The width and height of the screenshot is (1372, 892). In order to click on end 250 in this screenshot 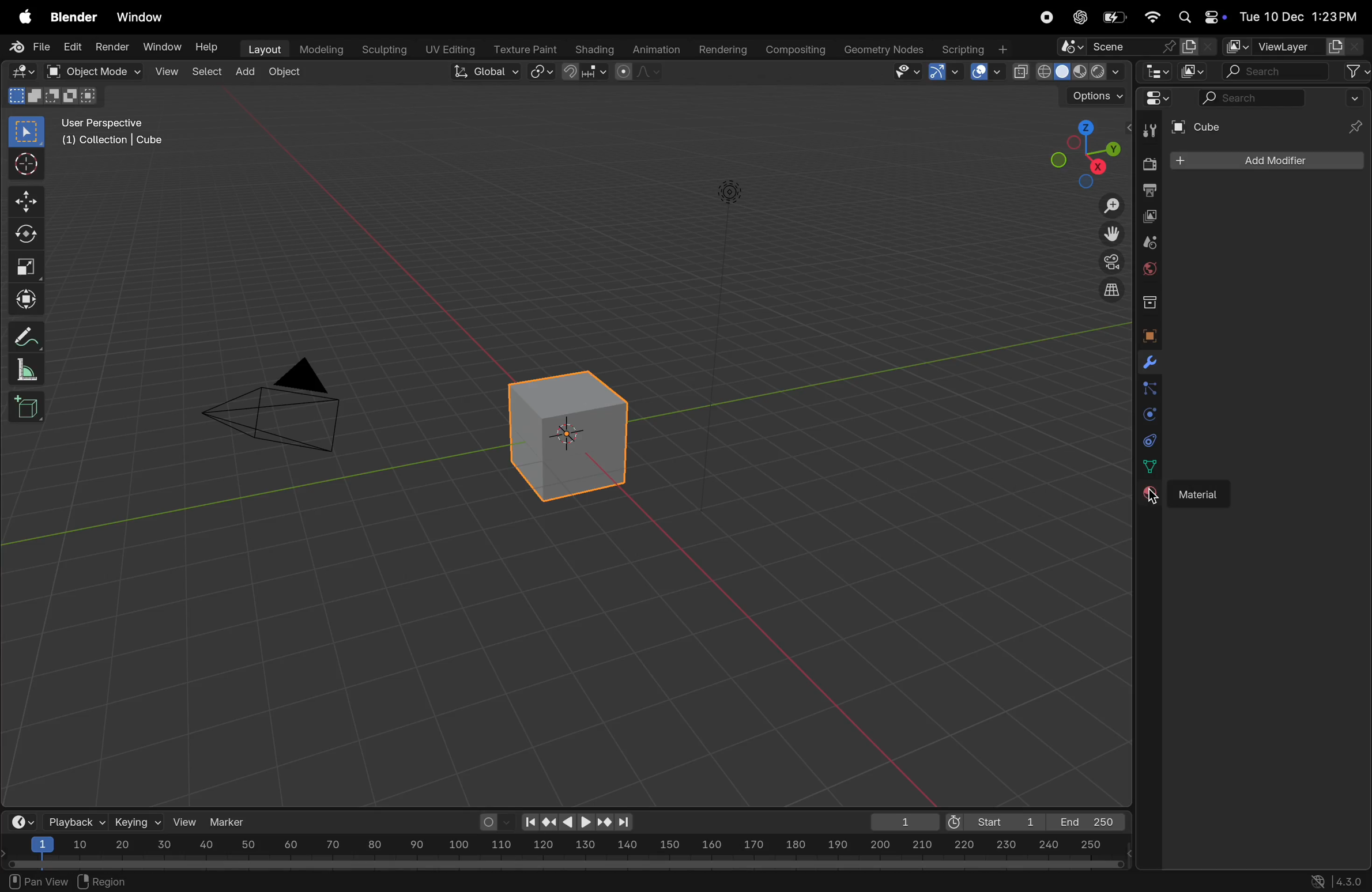, I will do `click(1084, 822)`.